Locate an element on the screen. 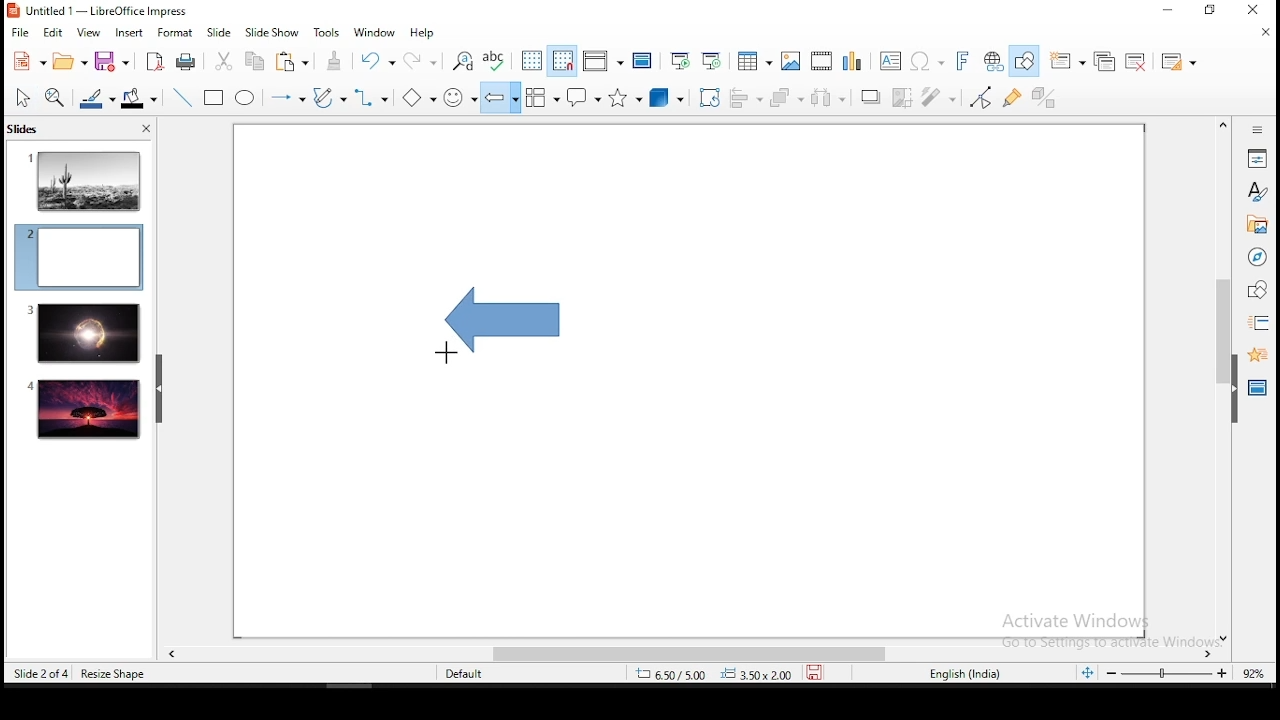 This screenshot has width=1280, height=720. connectors is located at coordinates (369, 98).